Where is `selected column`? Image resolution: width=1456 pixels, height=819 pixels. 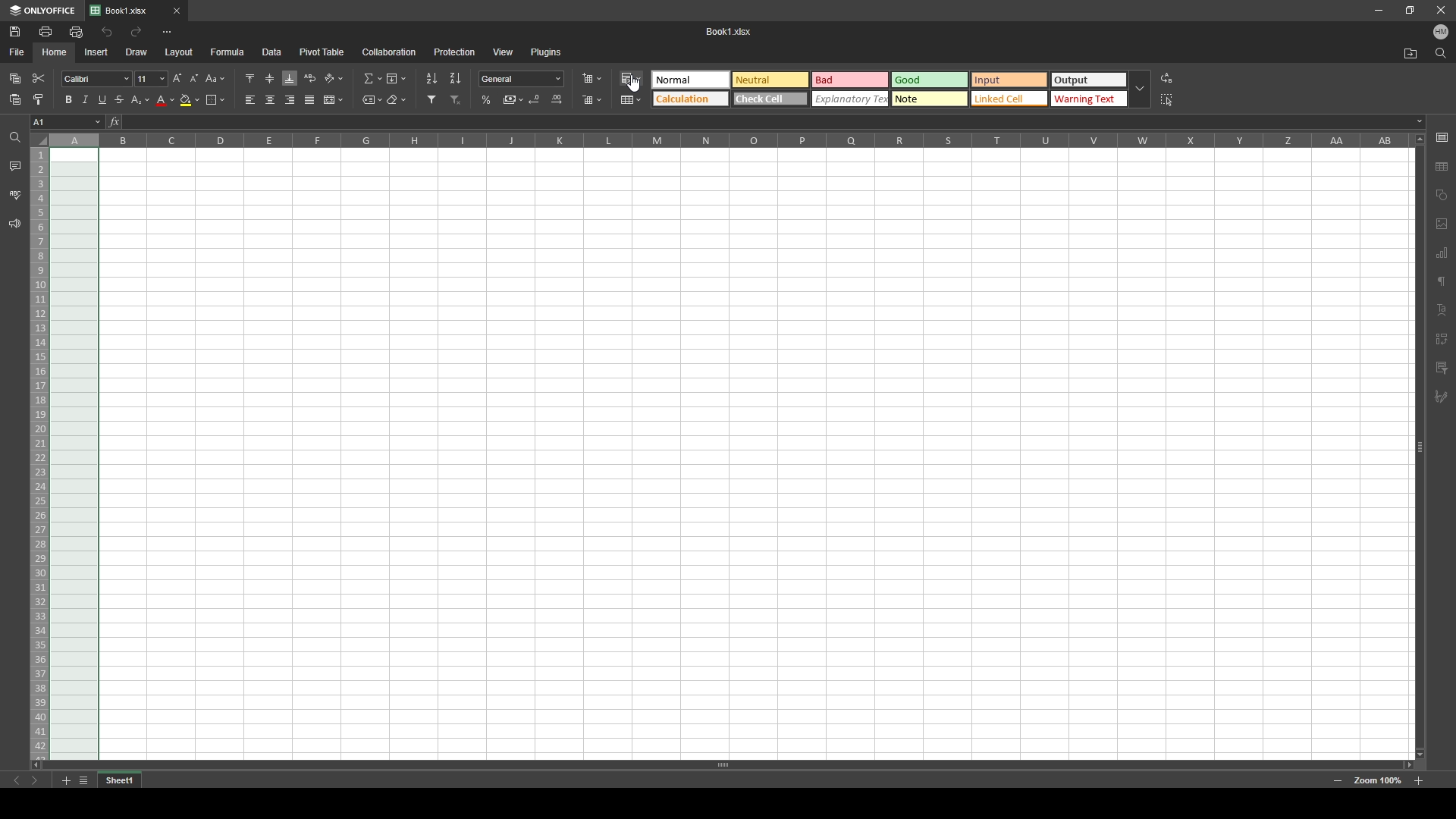 selected column is located at coordinates (74, 140).